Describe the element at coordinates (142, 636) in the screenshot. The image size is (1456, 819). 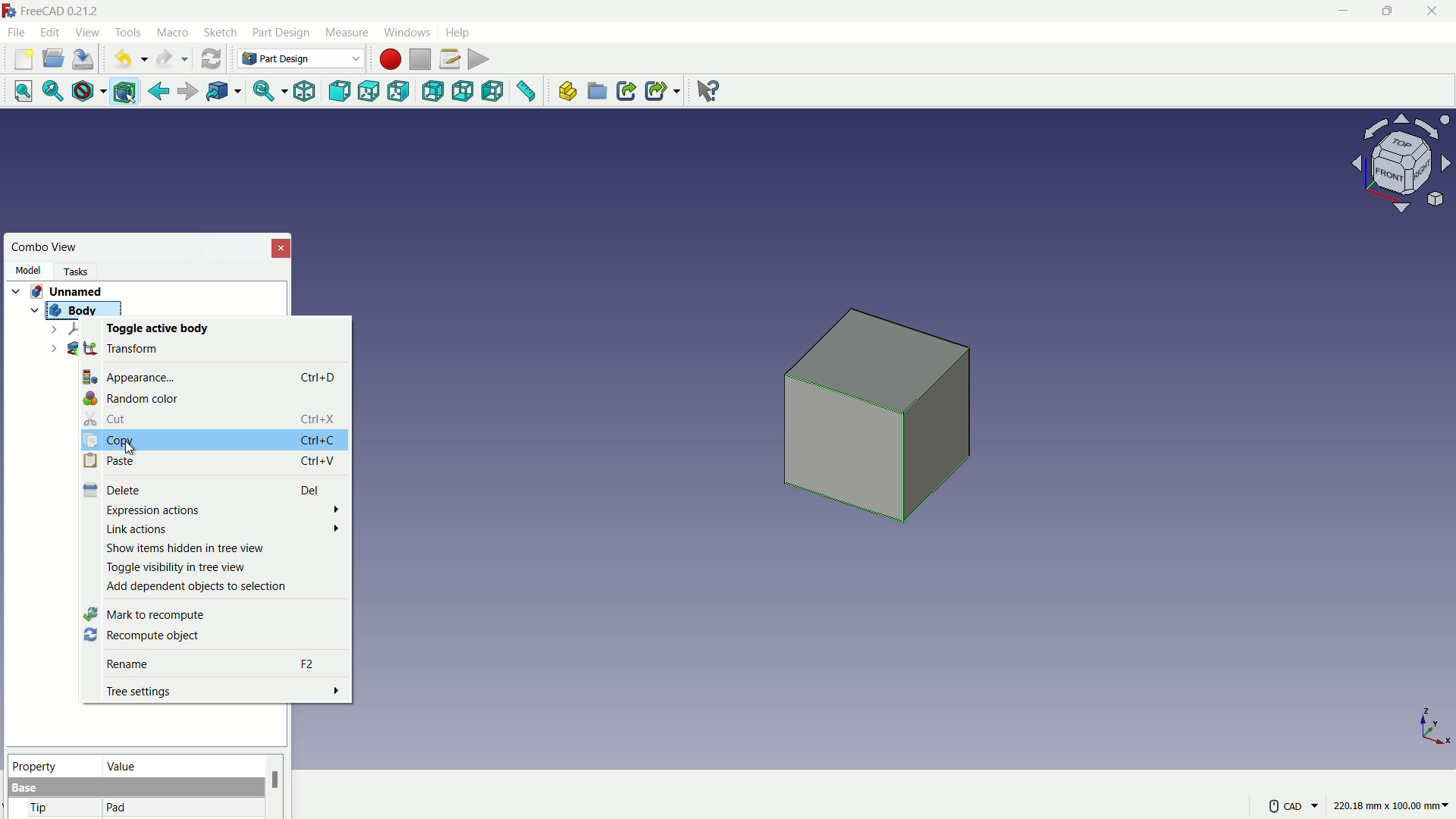
I see `Recompute object` at that location.